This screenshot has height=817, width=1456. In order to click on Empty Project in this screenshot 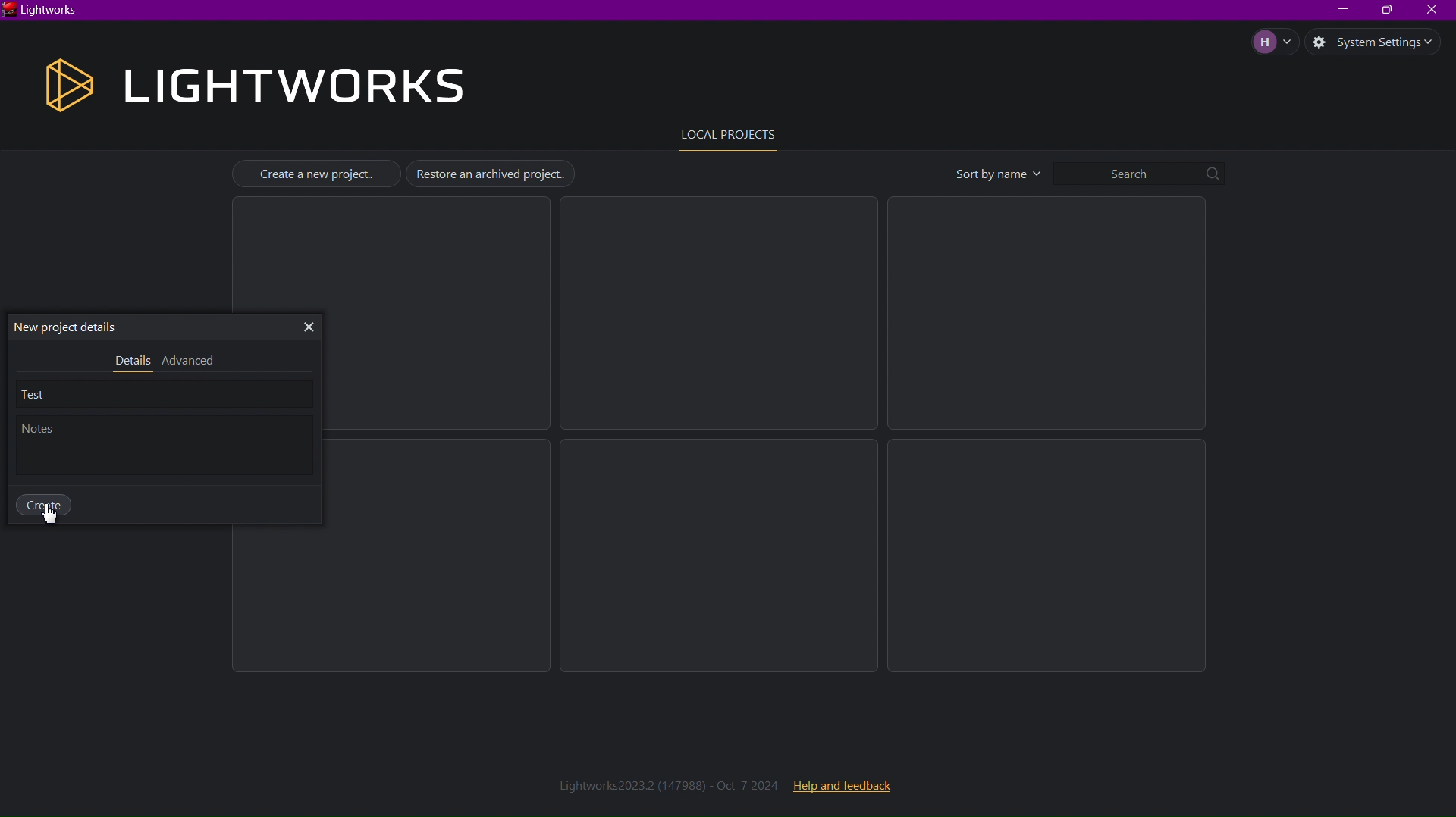, I will do `click(1052, 557)`.